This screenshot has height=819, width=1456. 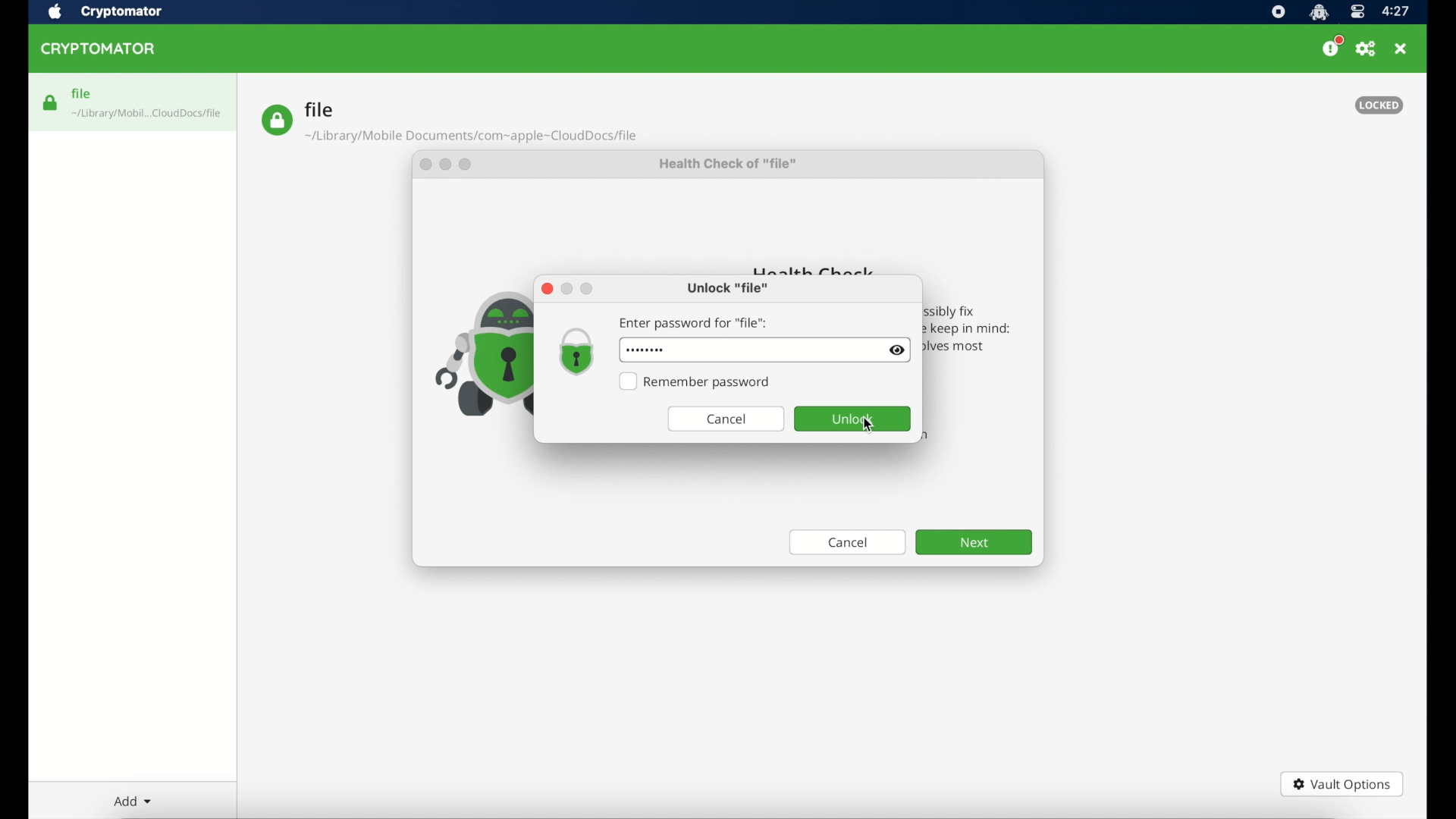 I want to click on cryptomator icon, so click(x=1319, y=12).